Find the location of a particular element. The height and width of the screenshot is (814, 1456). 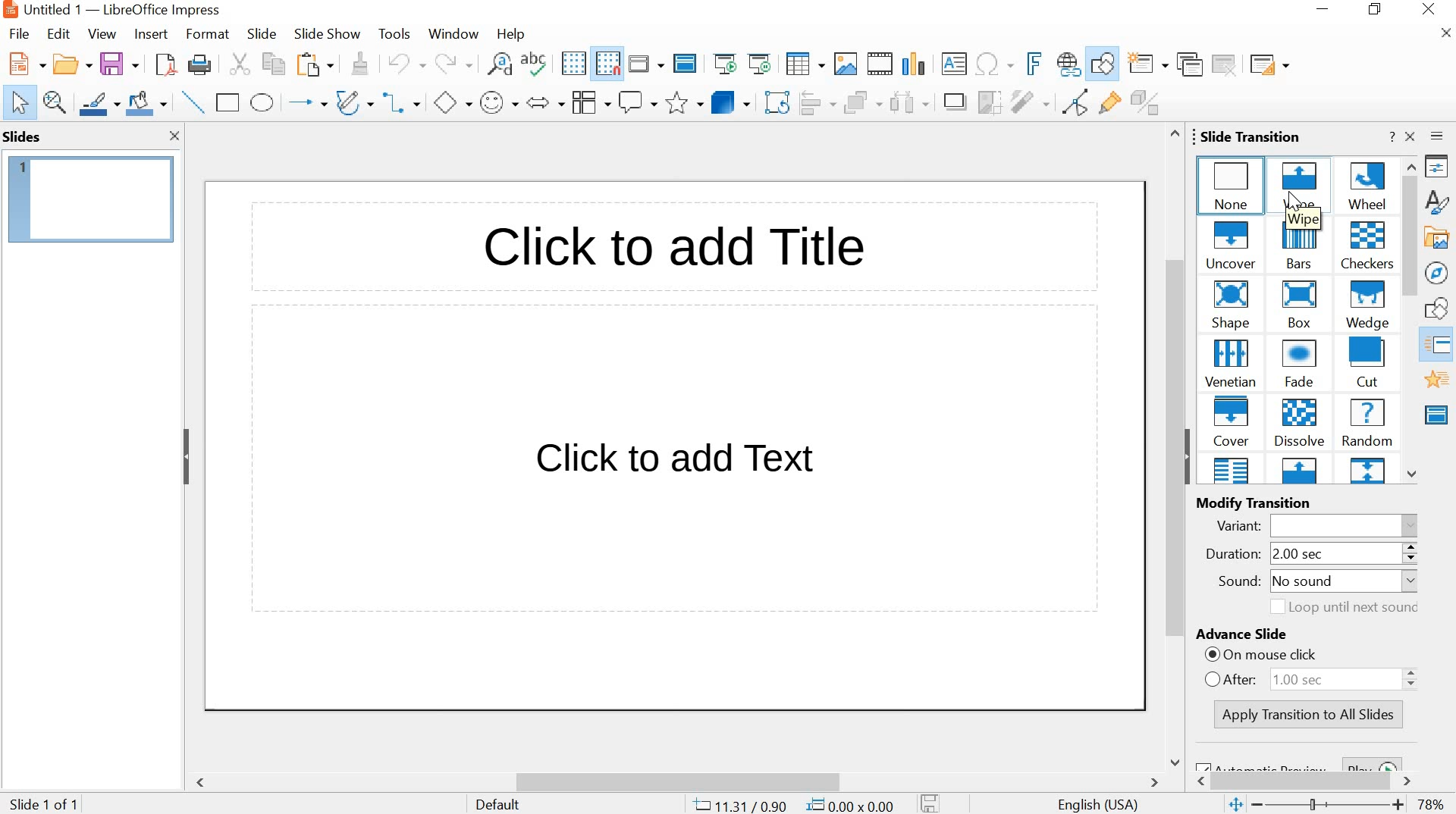

DURATION 2.00 sec is located at coordinates (1301, 555).